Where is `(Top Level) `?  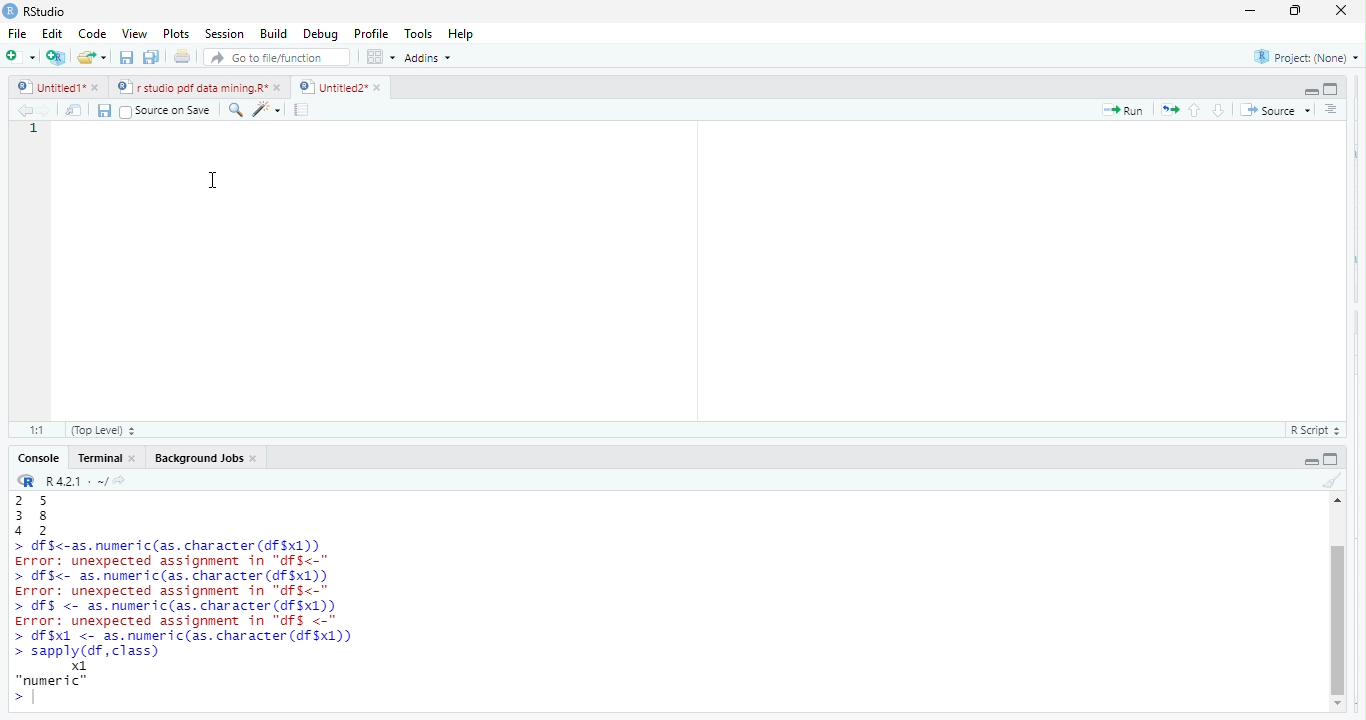 (Top Level)  is located at coordinates (100, 430).